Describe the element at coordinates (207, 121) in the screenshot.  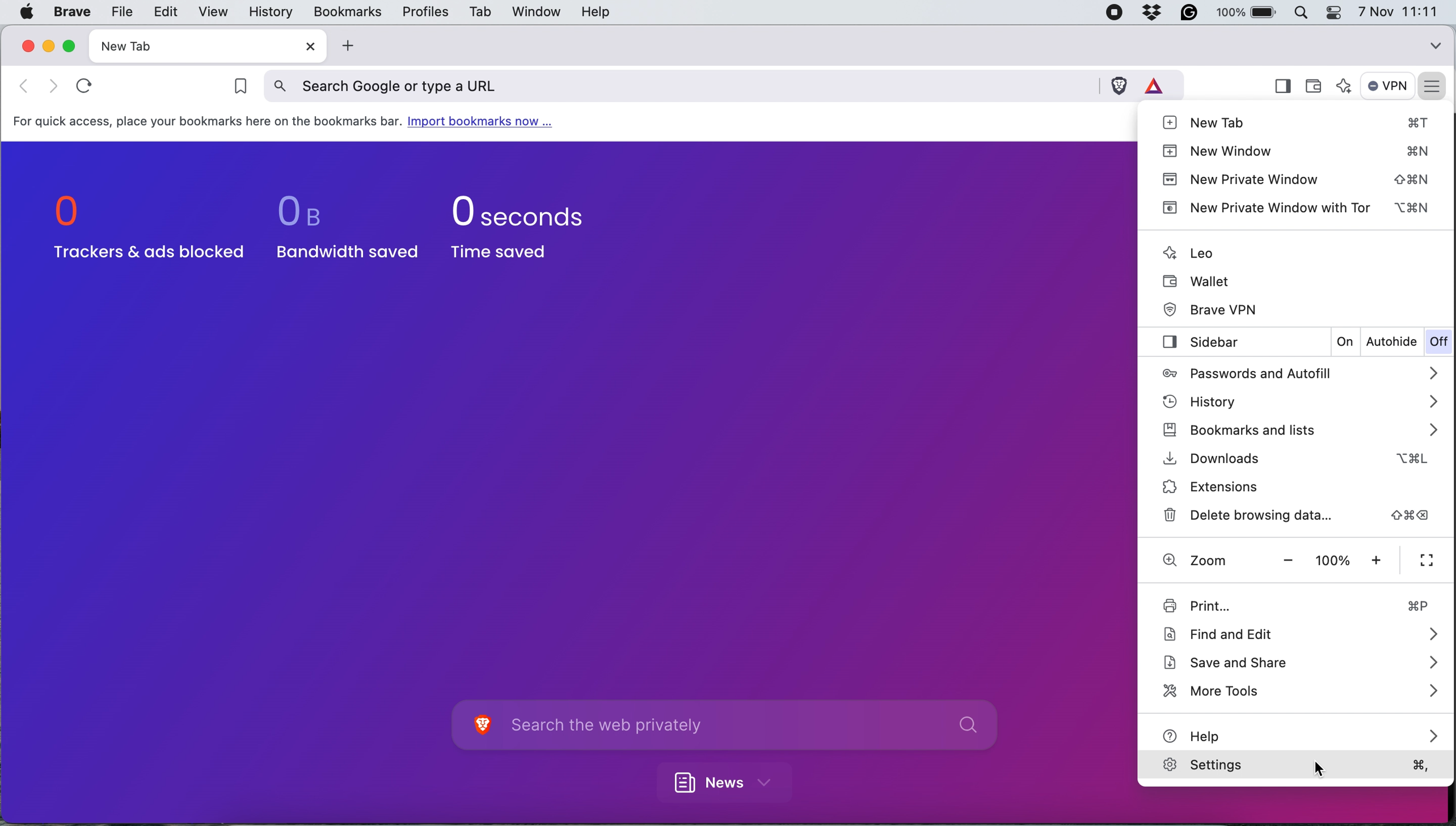
I see `For quick access, place your bookmarks here on the bookmarks bar.` at that location.